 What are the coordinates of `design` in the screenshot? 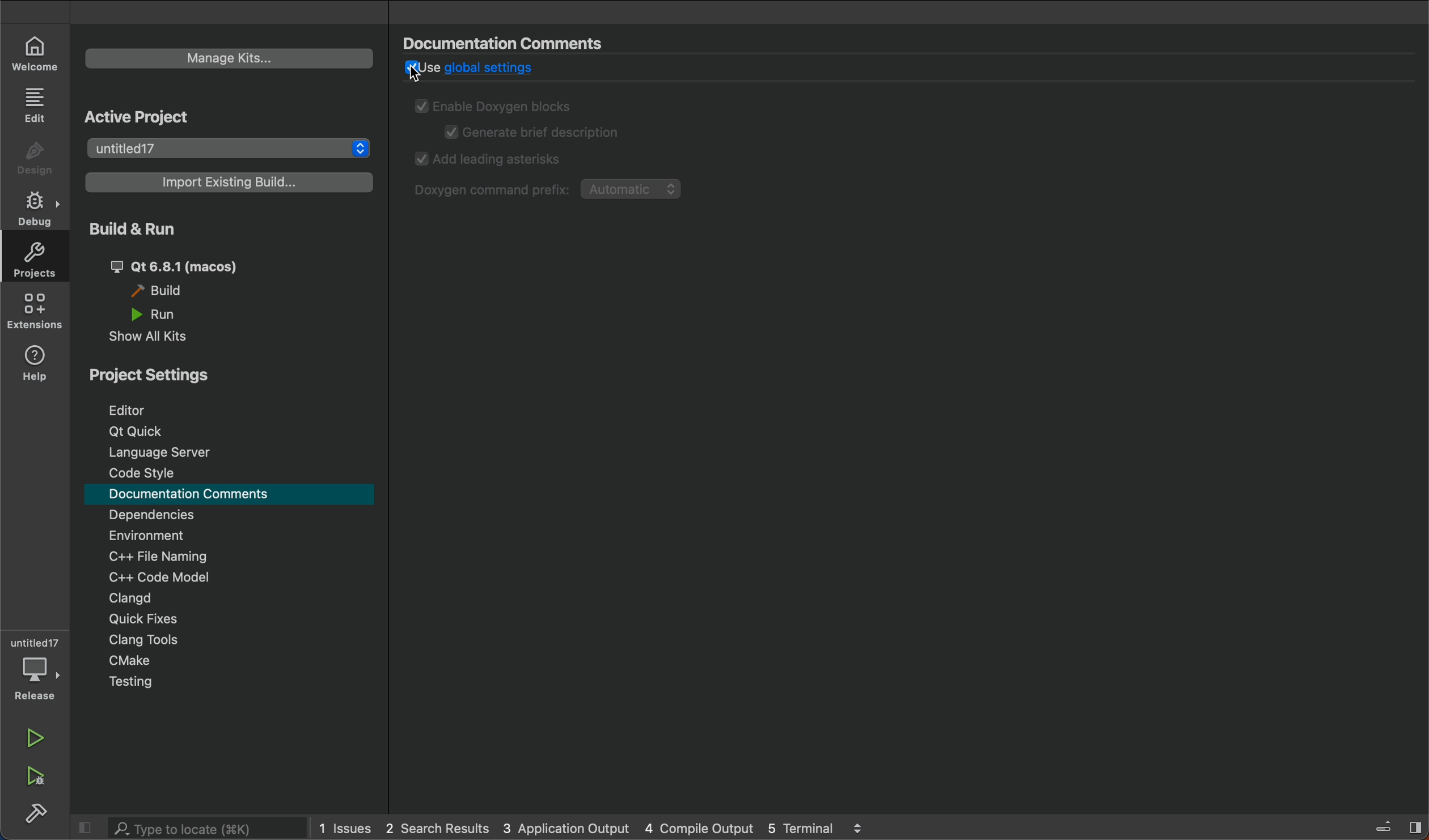 It's located at (33, 157).